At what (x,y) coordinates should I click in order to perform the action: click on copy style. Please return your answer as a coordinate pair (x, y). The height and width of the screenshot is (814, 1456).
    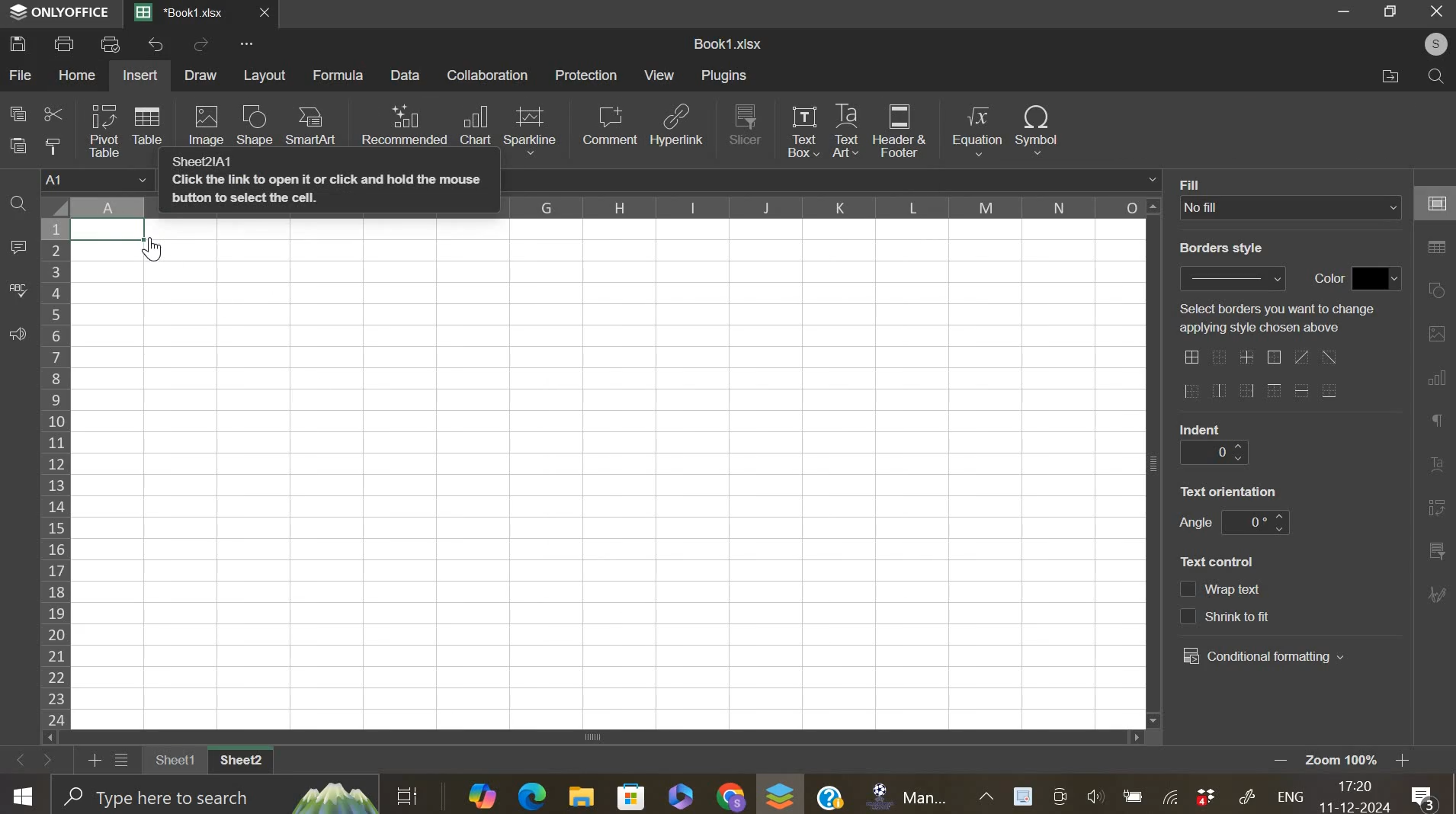
    Looking at the image, I should click on (53, 146).